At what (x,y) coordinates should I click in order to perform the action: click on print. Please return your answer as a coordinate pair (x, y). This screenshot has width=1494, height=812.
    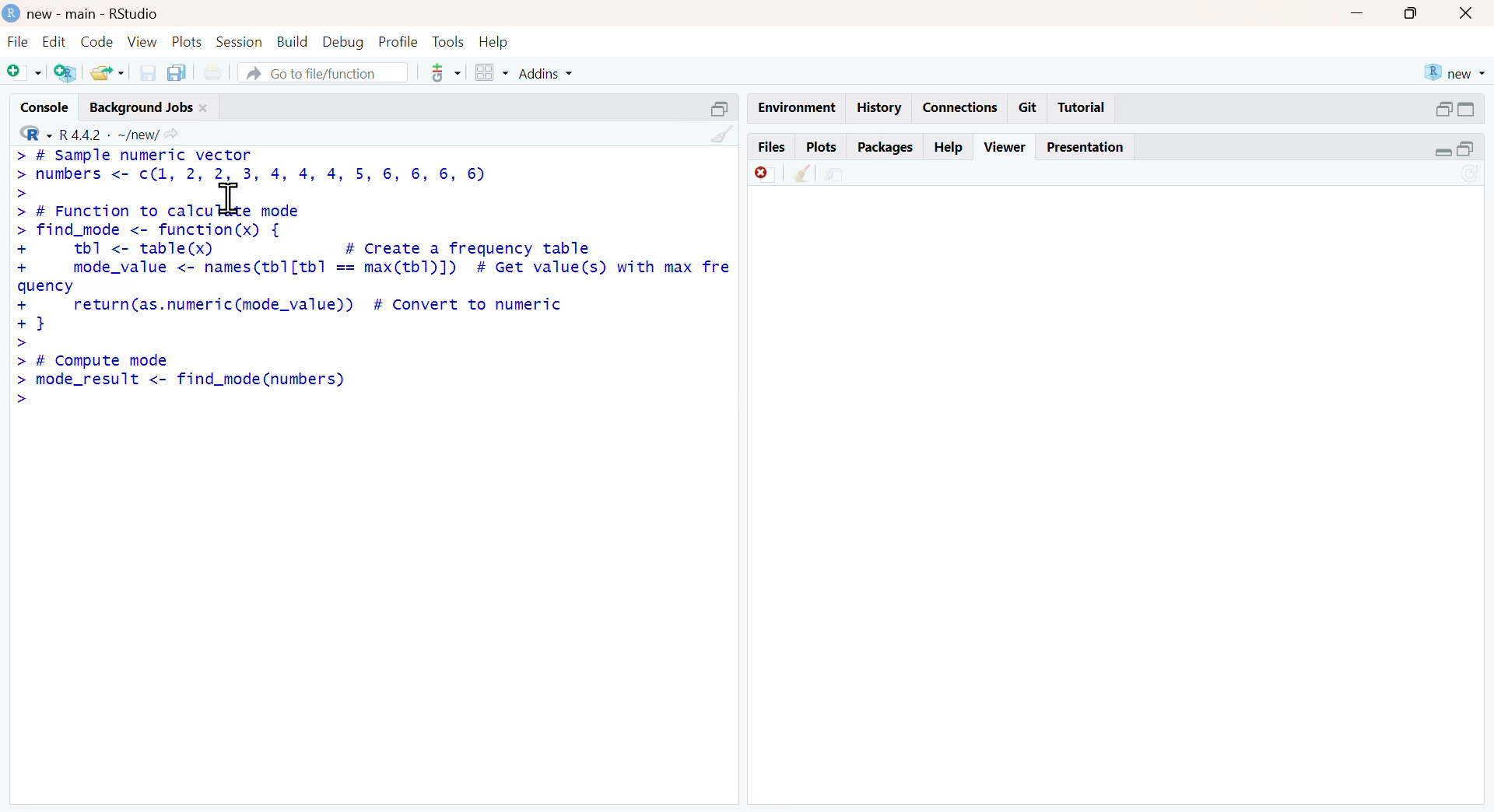
    Looking at the image, I should click on (213, 73).